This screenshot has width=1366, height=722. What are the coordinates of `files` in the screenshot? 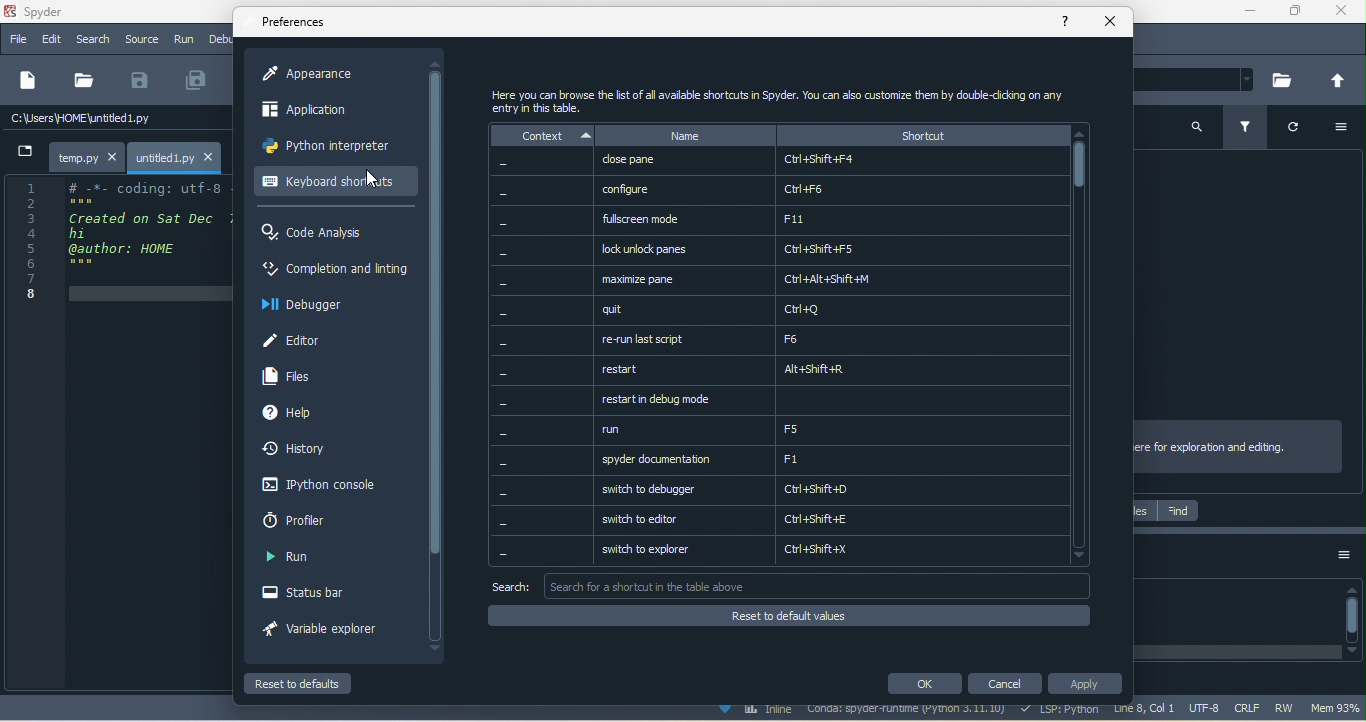 It's located at (1144, 510).